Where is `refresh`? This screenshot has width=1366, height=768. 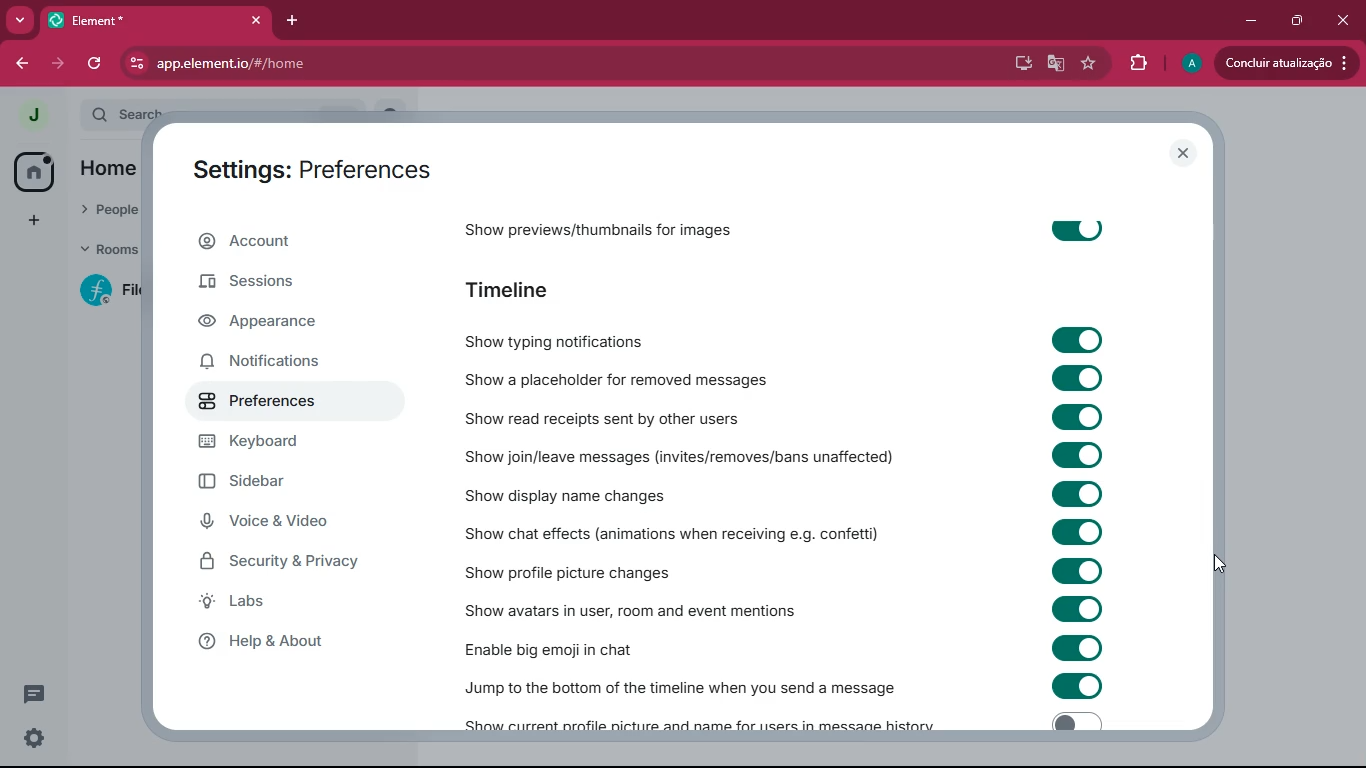 refresh is located at coordinates (96, 63).